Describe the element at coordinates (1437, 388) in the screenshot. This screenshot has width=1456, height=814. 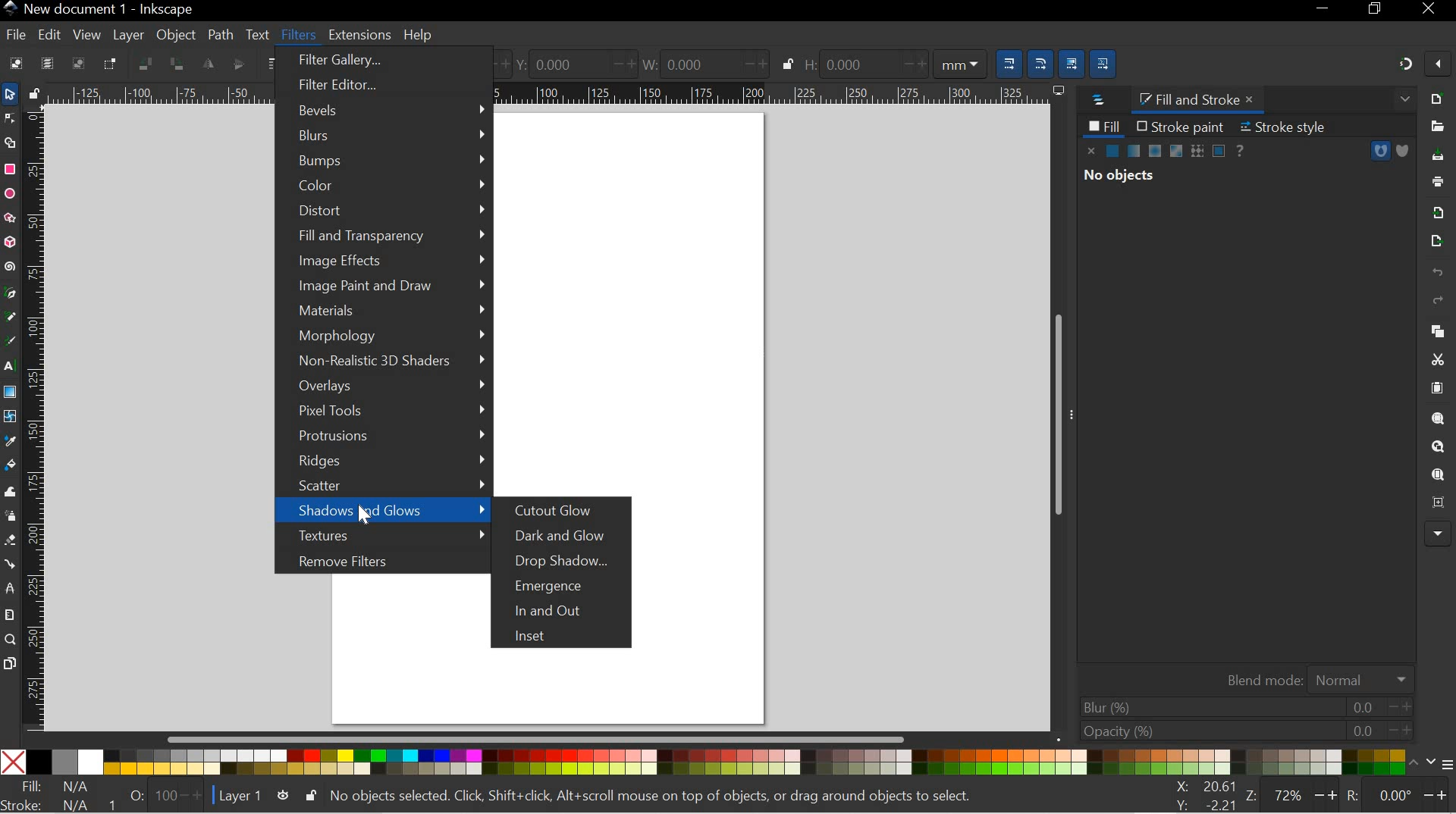
I see `PASTE` at that location.